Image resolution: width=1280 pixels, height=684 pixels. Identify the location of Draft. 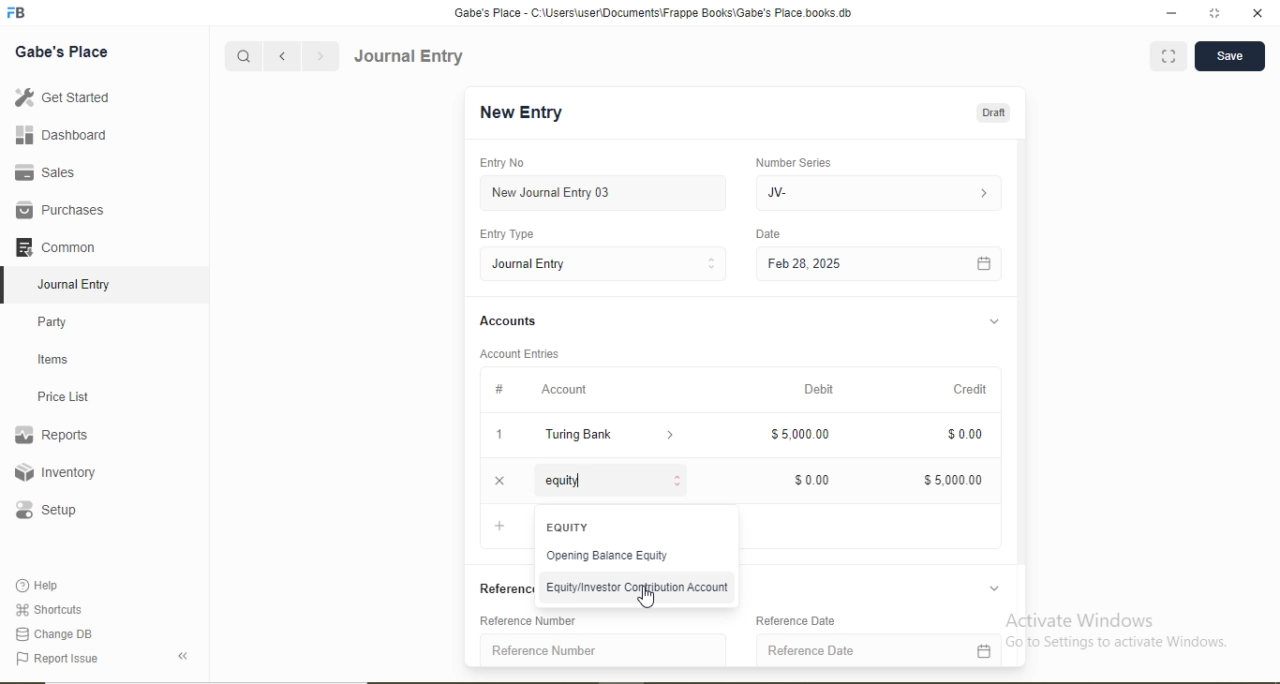
(993, 114).